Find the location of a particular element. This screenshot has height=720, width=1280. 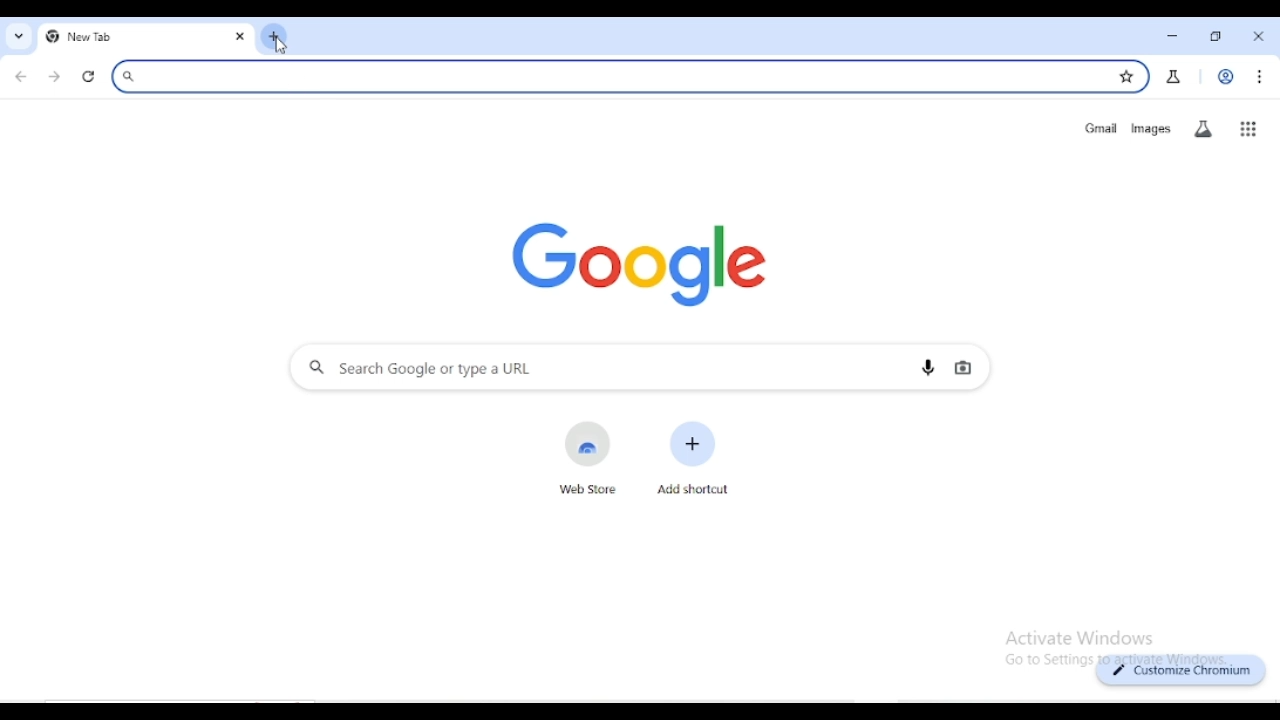

customize and control chromium is located at coordinates (1261, 77).